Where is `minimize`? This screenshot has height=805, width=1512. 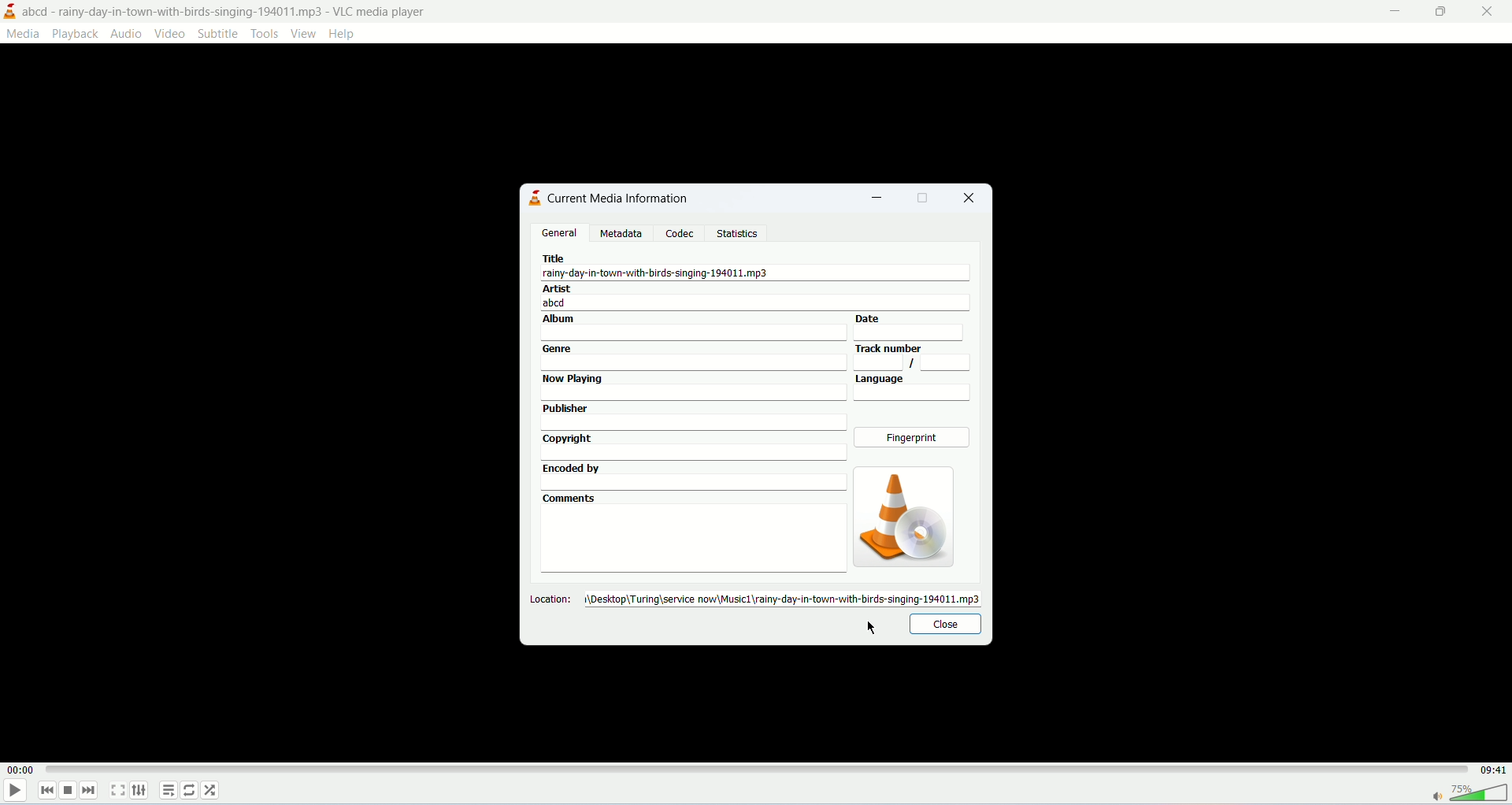
minimize is located at coordinates (1395, 9).